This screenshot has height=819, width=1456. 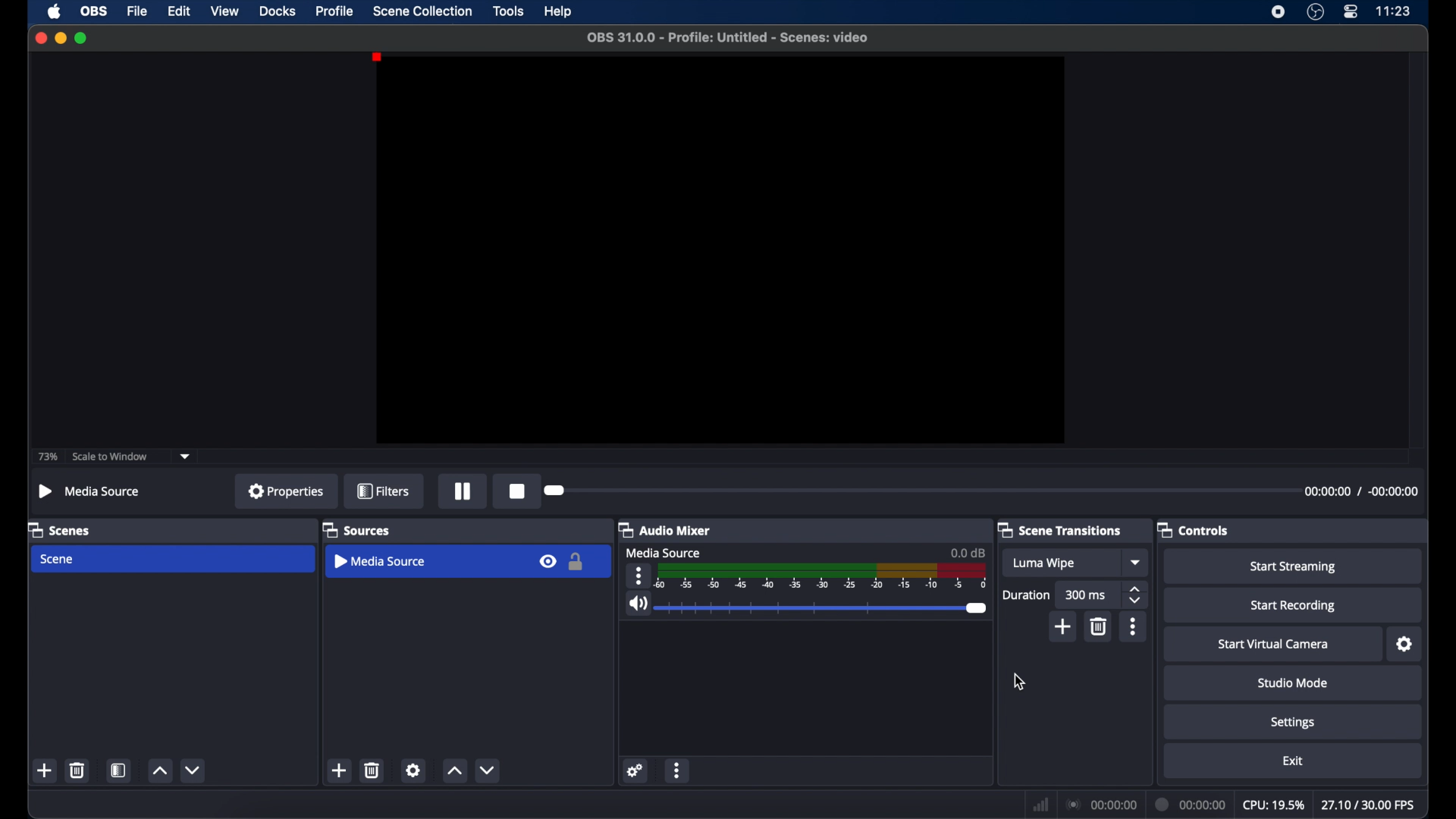 I want to click on scene collection, so click(x=422, y=11).